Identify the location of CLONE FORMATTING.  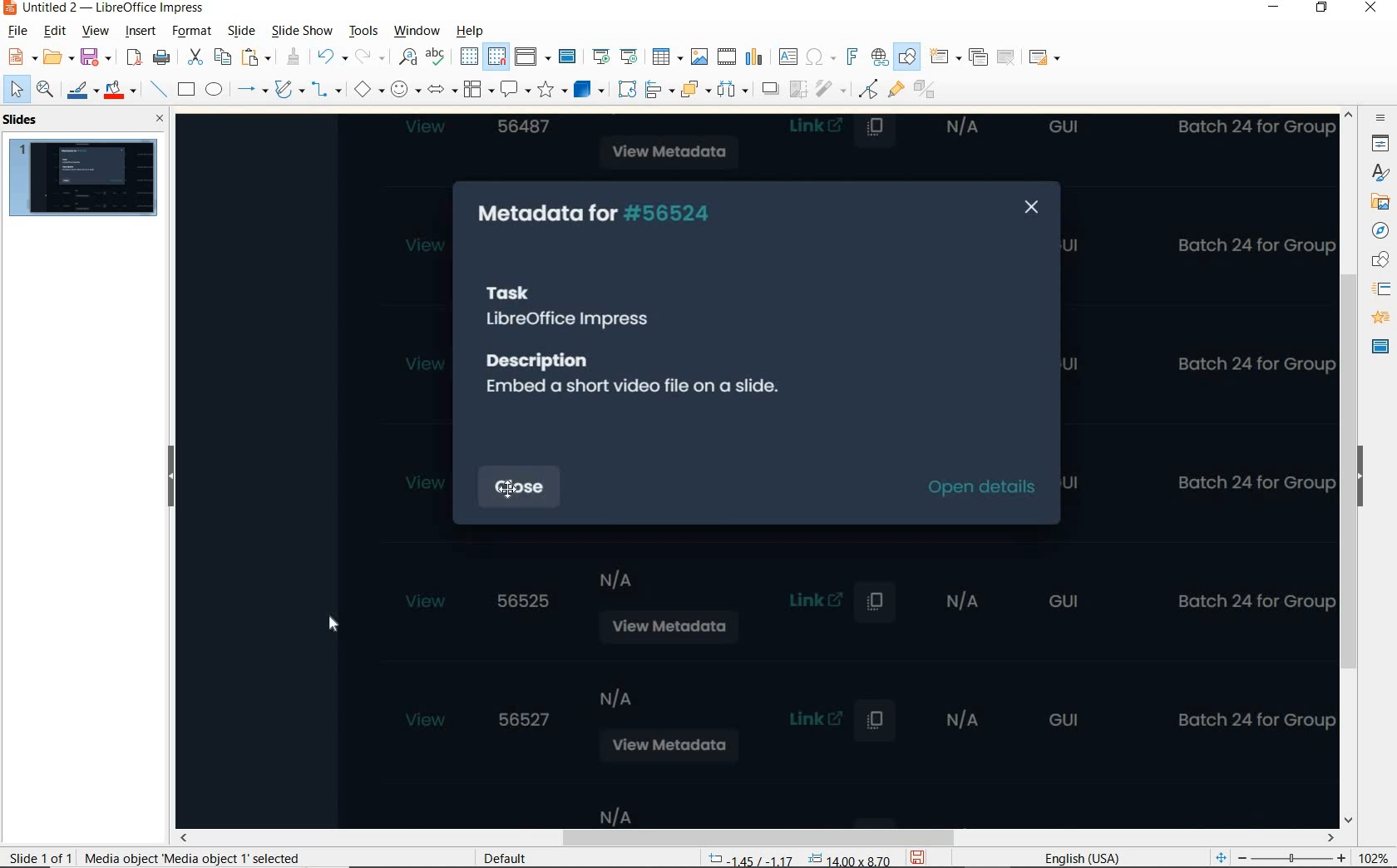
(293, 59).